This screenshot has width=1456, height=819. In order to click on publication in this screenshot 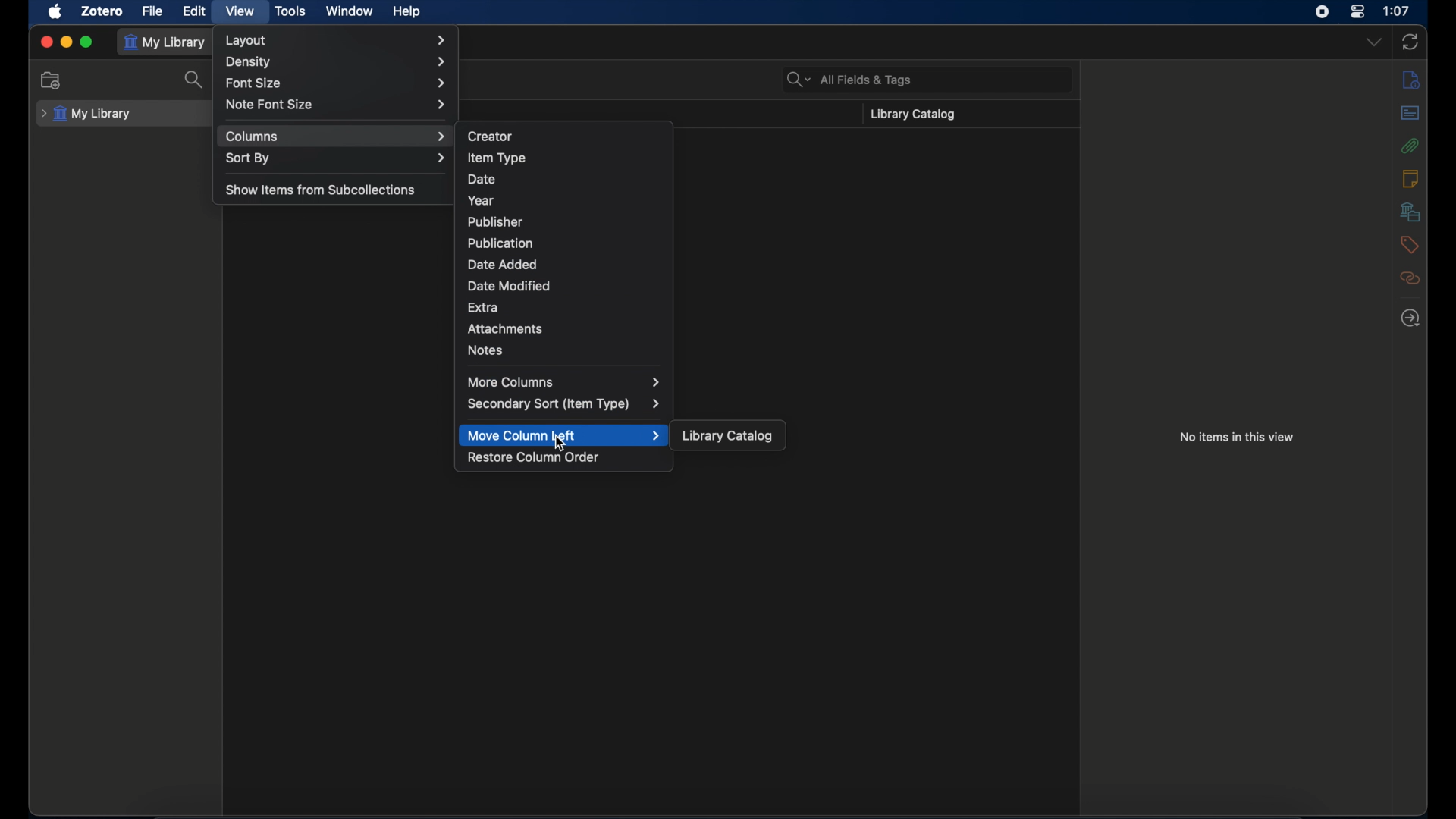, I will do `click(500, 243)`.